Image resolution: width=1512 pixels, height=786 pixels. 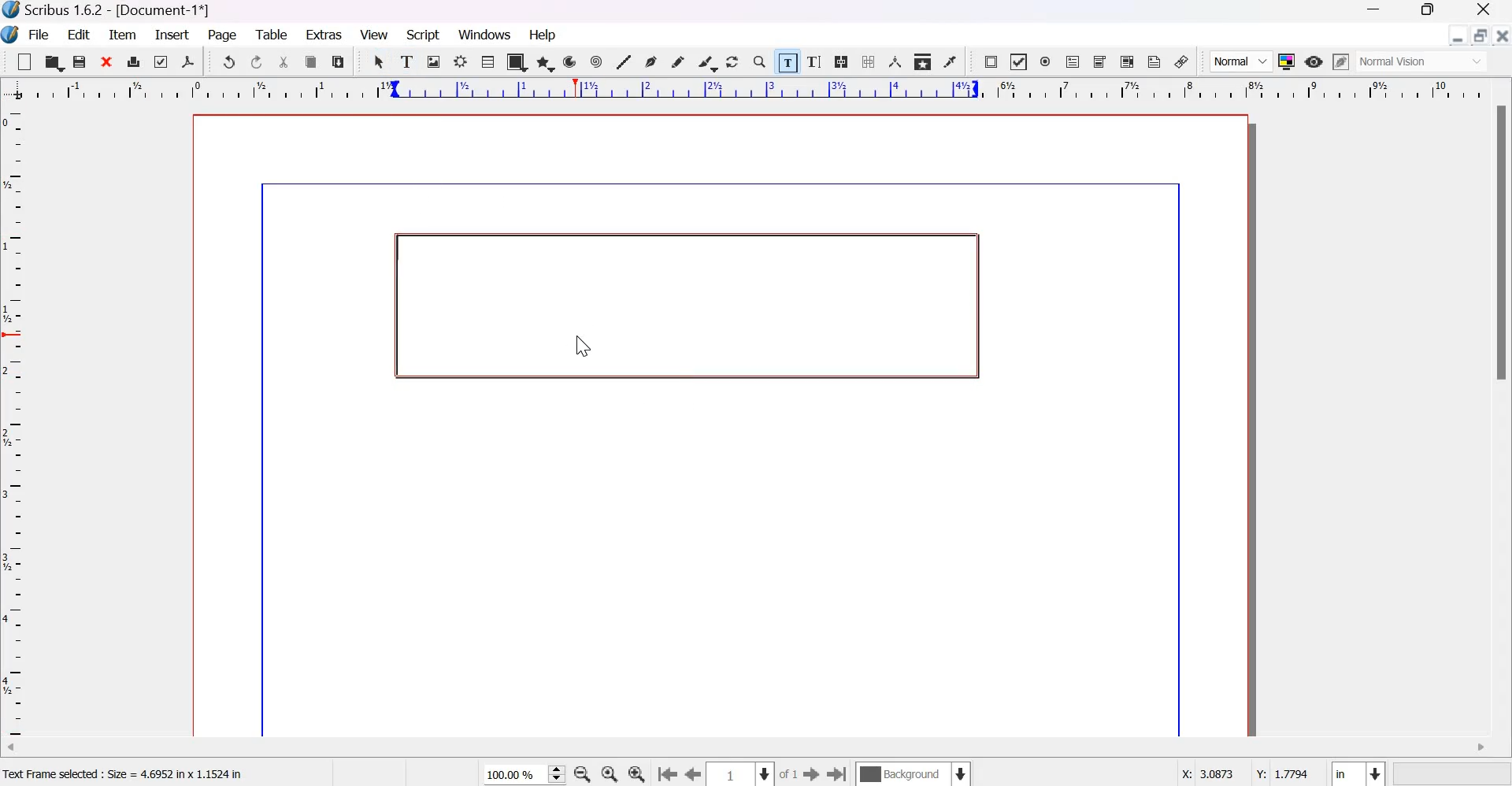 I want to click on Scroll right, so click(x=1480, y=748).